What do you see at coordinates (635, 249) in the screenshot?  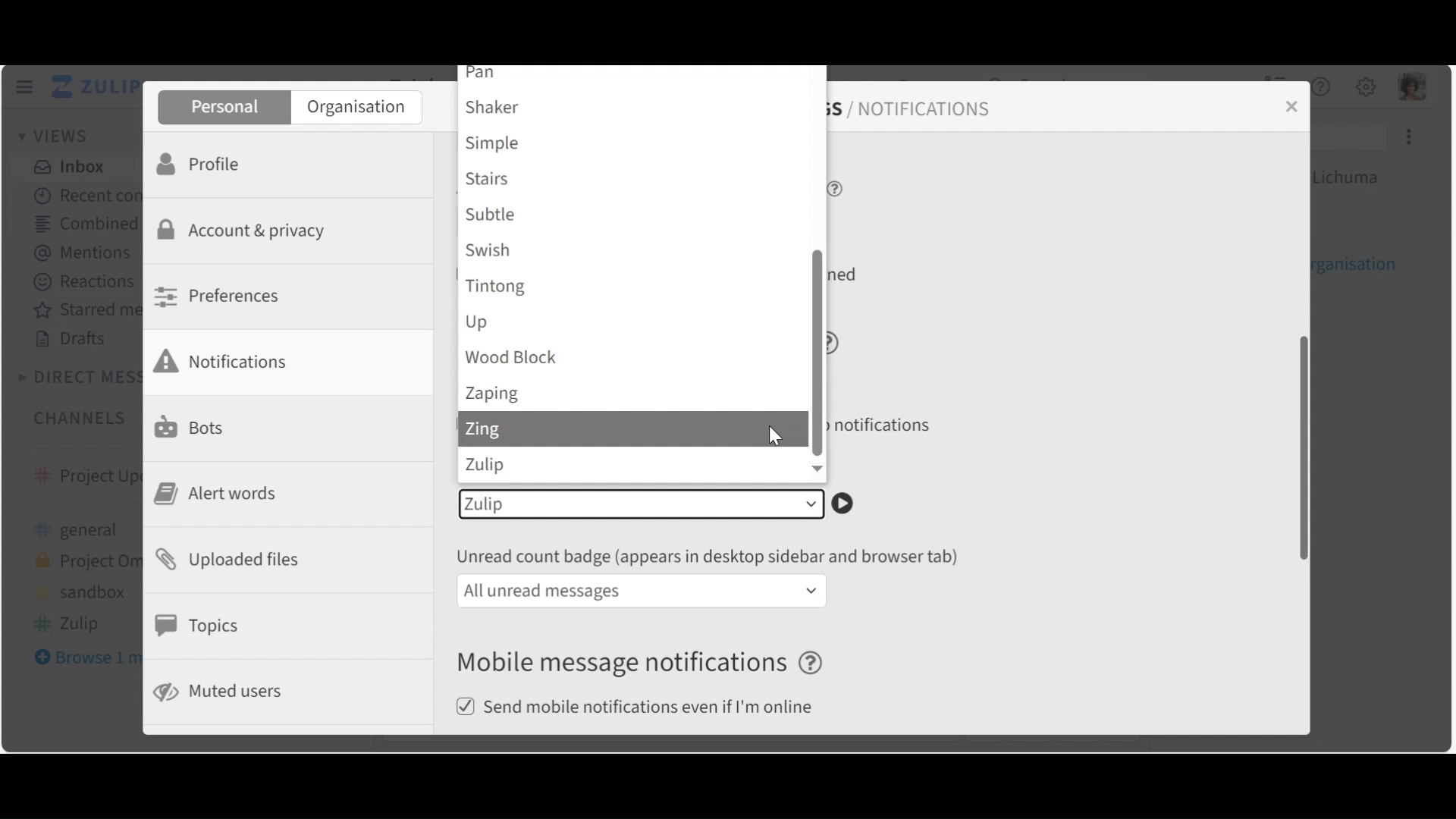 I see `Swish` at bounding box center [635, 249].